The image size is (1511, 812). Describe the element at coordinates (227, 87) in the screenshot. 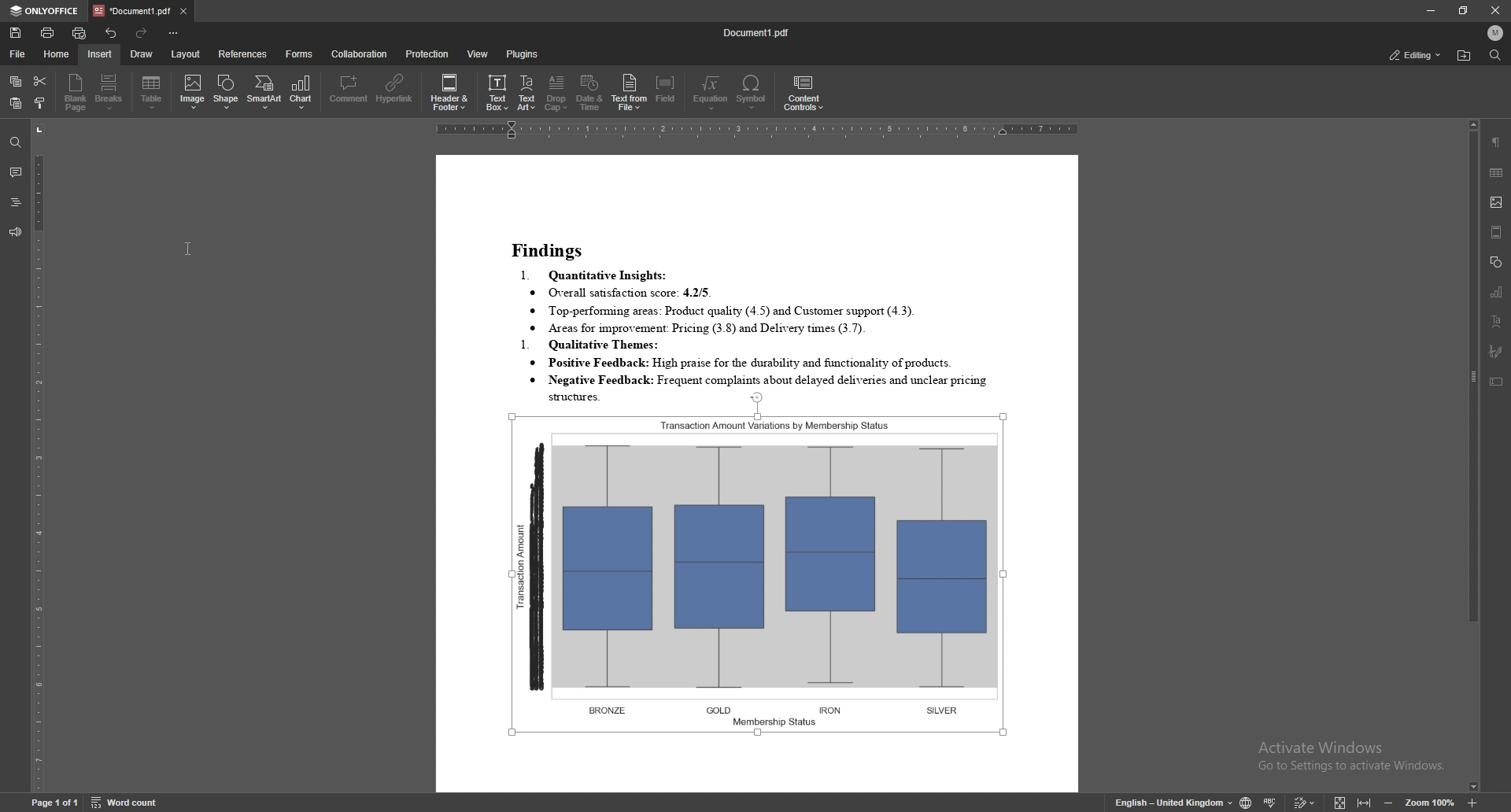

I see `shape` at that location.